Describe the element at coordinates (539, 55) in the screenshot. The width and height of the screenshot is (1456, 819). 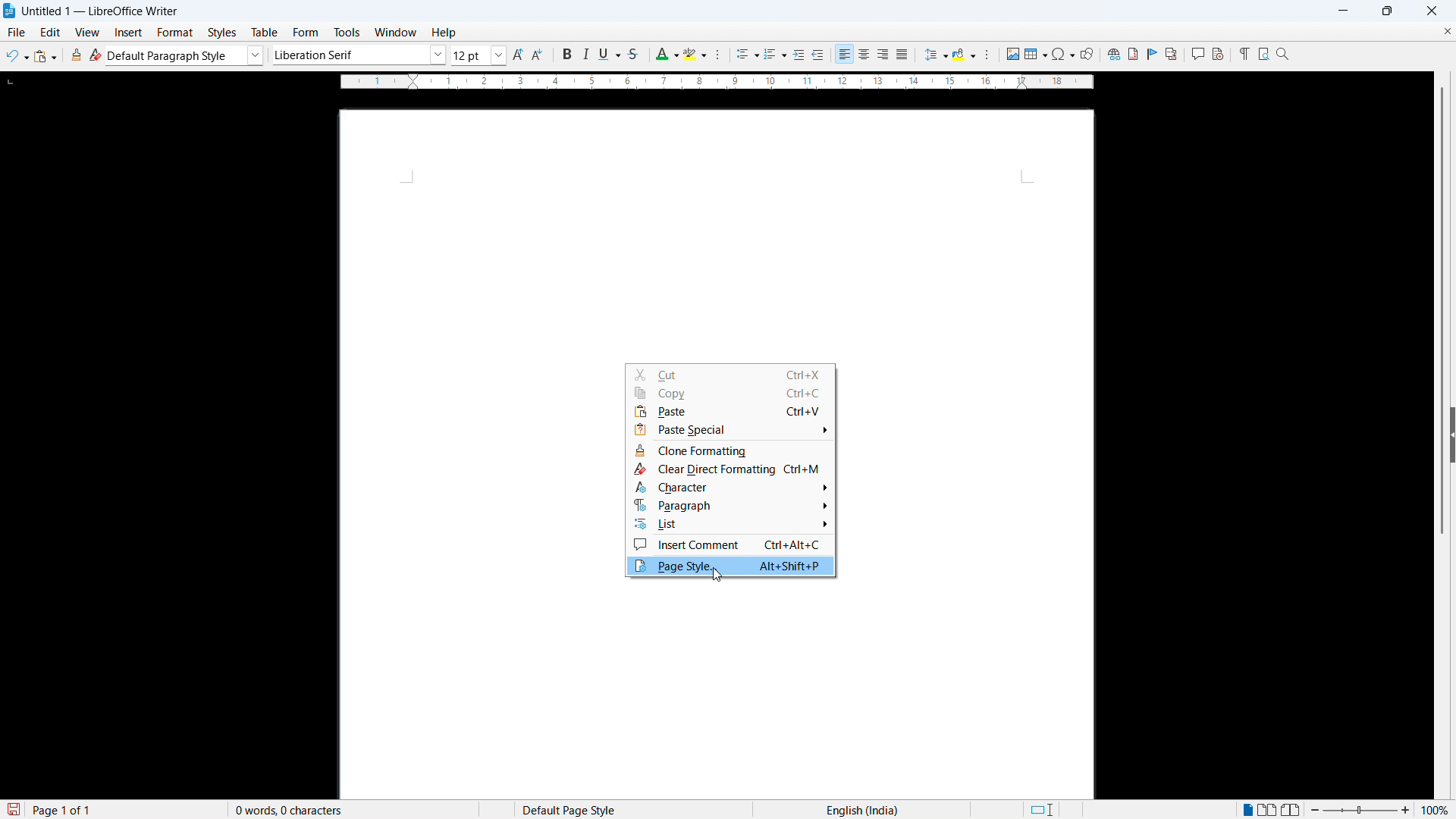
I see `Reduce font size ` at that location.